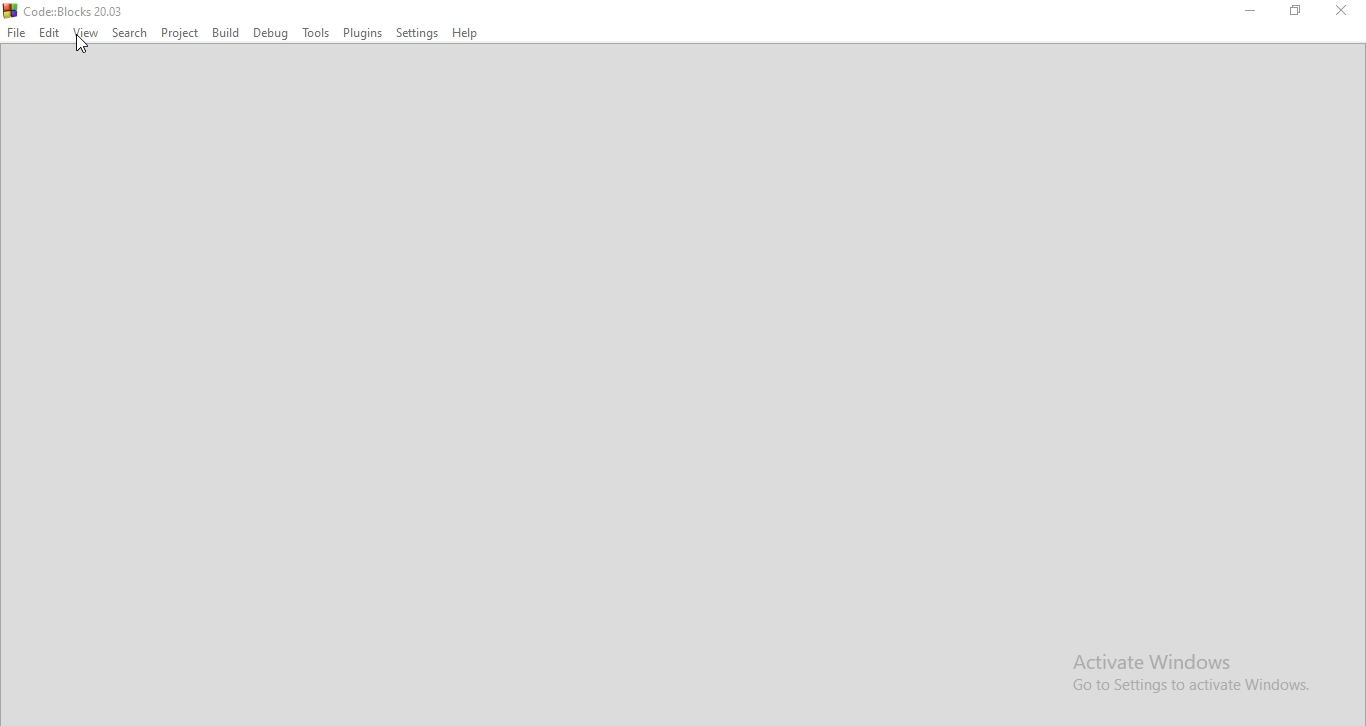 The height and width of the screenshot is (726, 1366). Describe the element at coordinates (272, 33) in the screenshot. I see `Debug ` at that location.